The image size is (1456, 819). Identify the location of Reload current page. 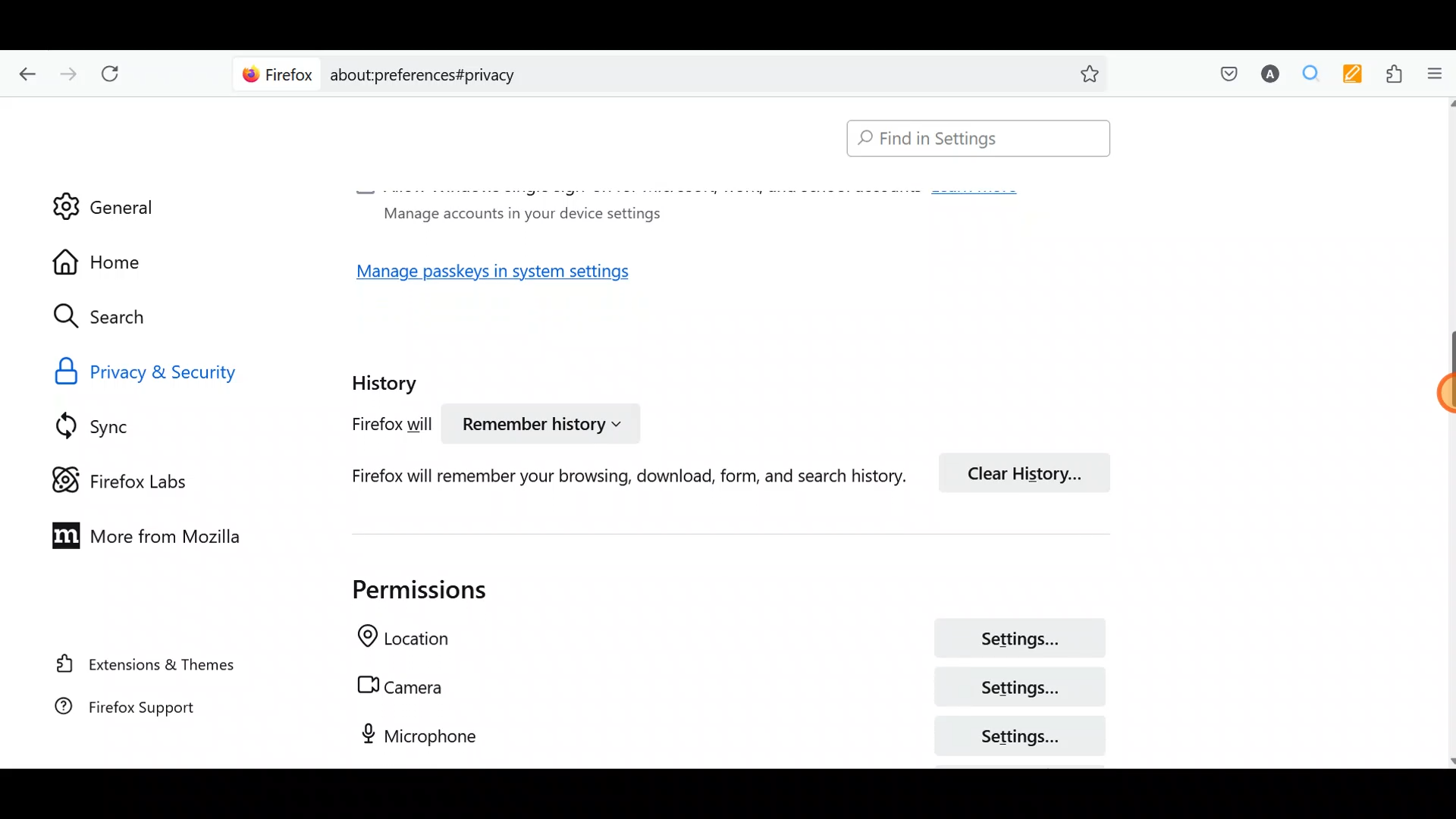
(115, 74).